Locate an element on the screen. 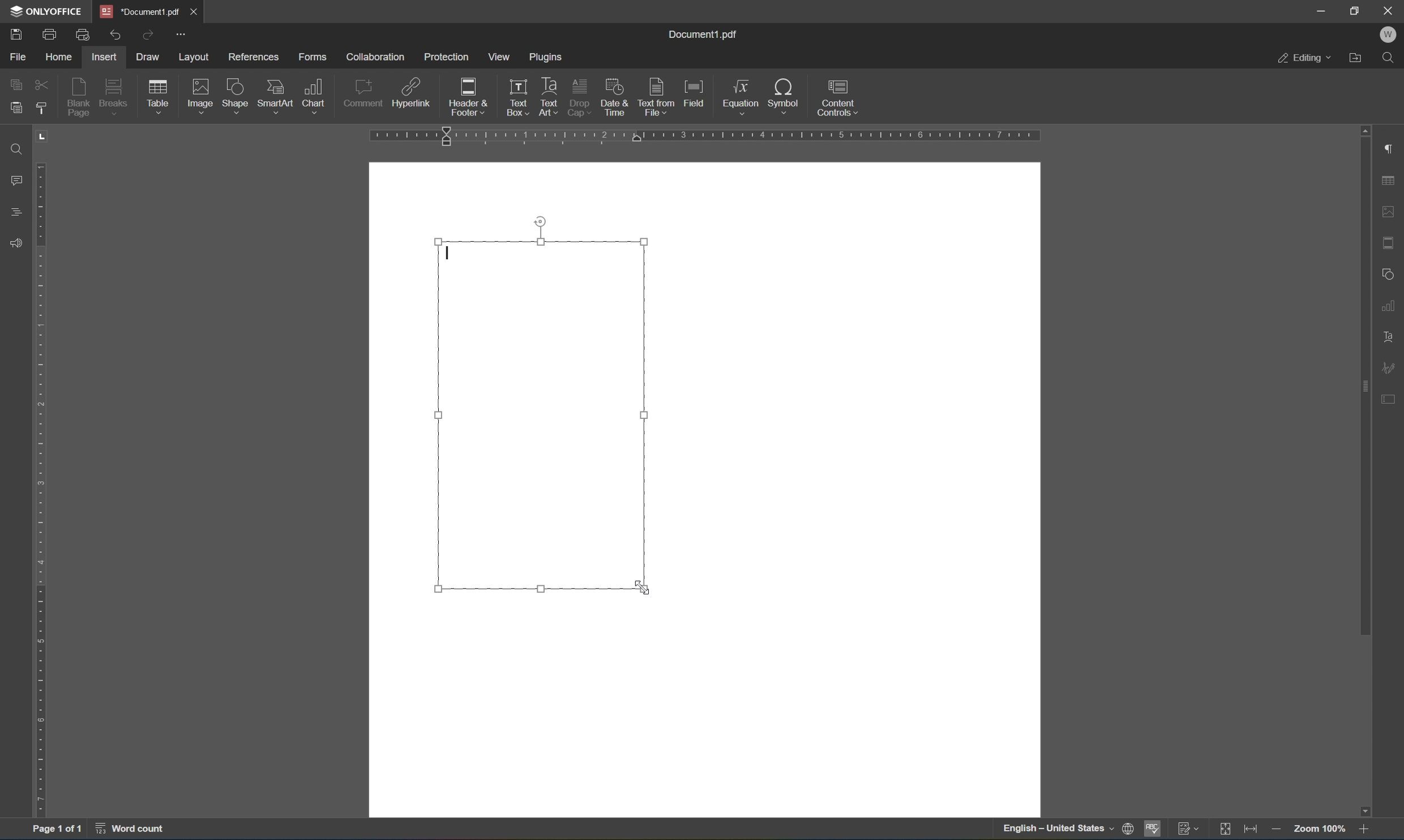  smart art is located at coordinates (277, 96).